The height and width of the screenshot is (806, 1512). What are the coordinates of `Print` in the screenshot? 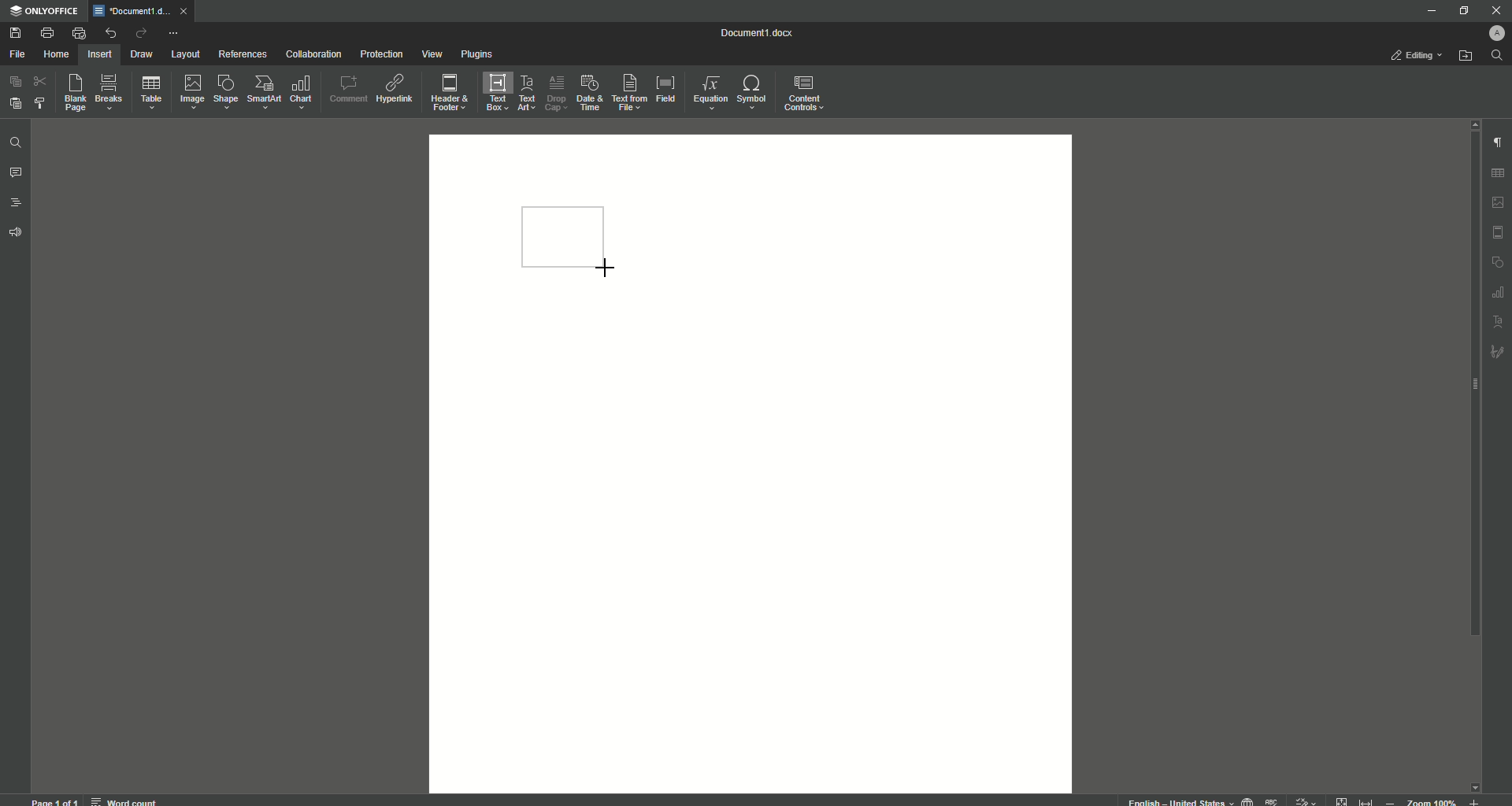 It's located at (46, 33).